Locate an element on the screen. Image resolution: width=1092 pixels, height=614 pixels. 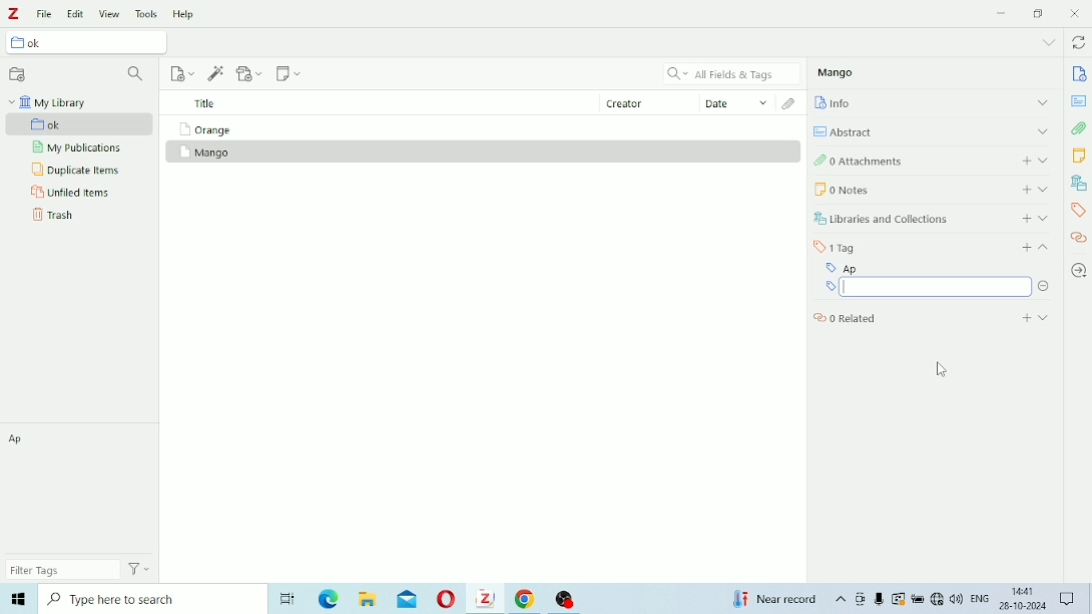
Tags is located at coordinates (1077, 210).